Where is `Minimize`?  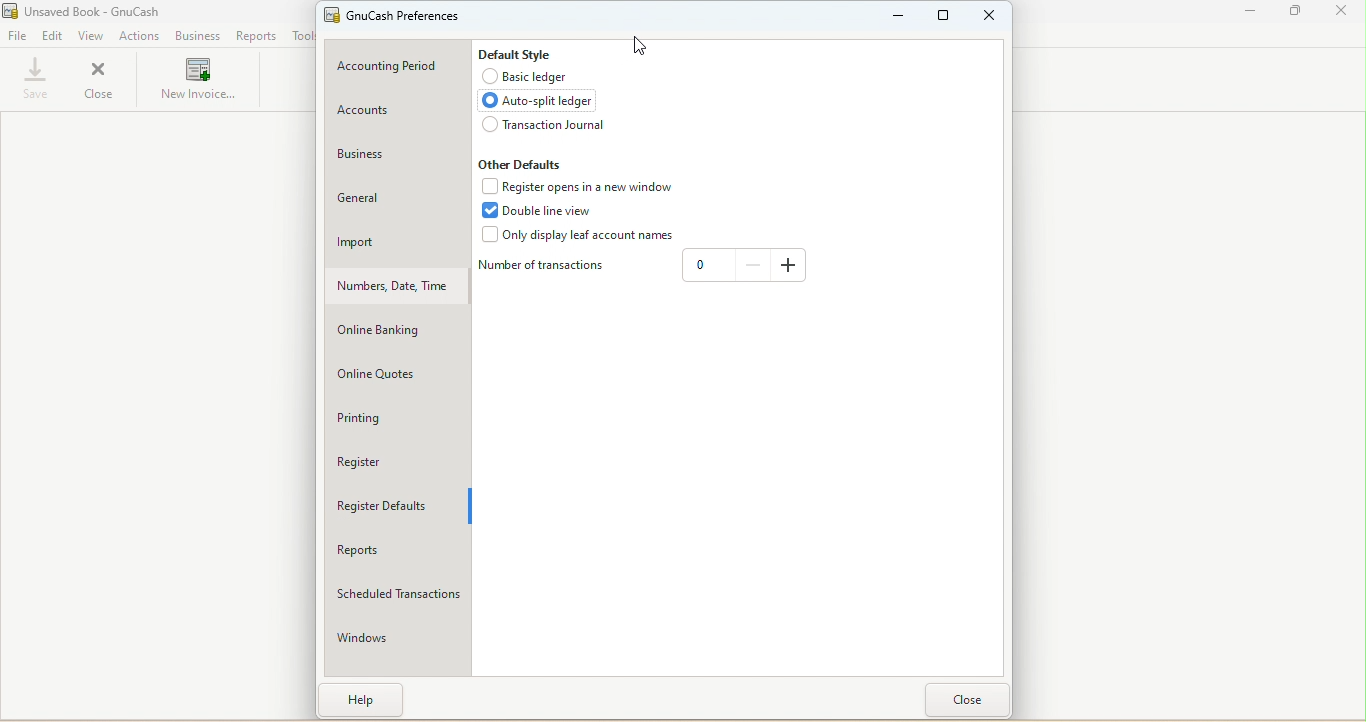 Minimize is located at coordinates (1253, 12).